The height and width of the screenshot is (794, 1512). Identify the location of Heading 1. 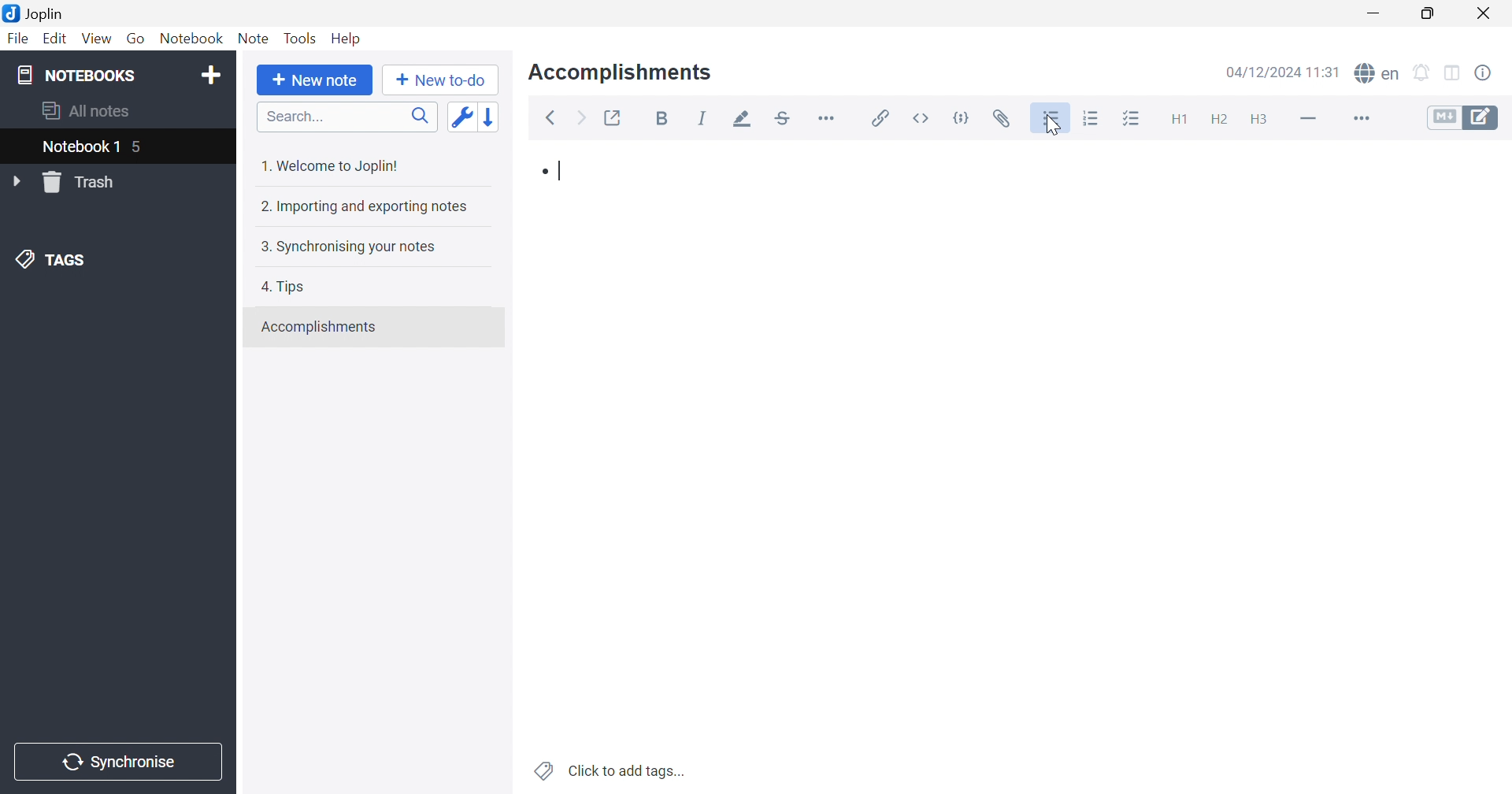
(1180, 120).